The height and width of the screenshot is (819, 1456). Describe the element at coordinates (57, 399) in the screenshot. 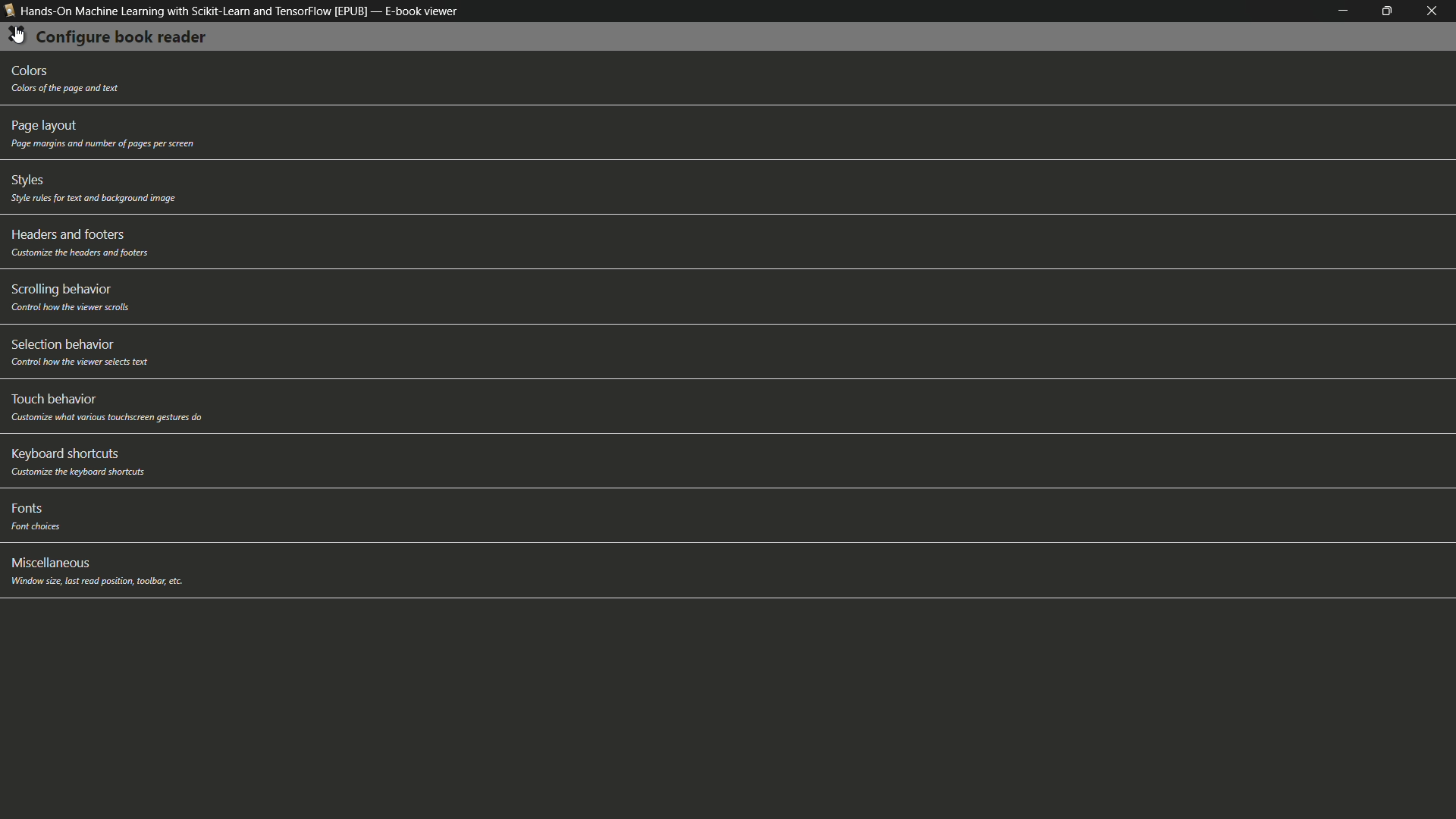

I see `touch behavior` at that location.